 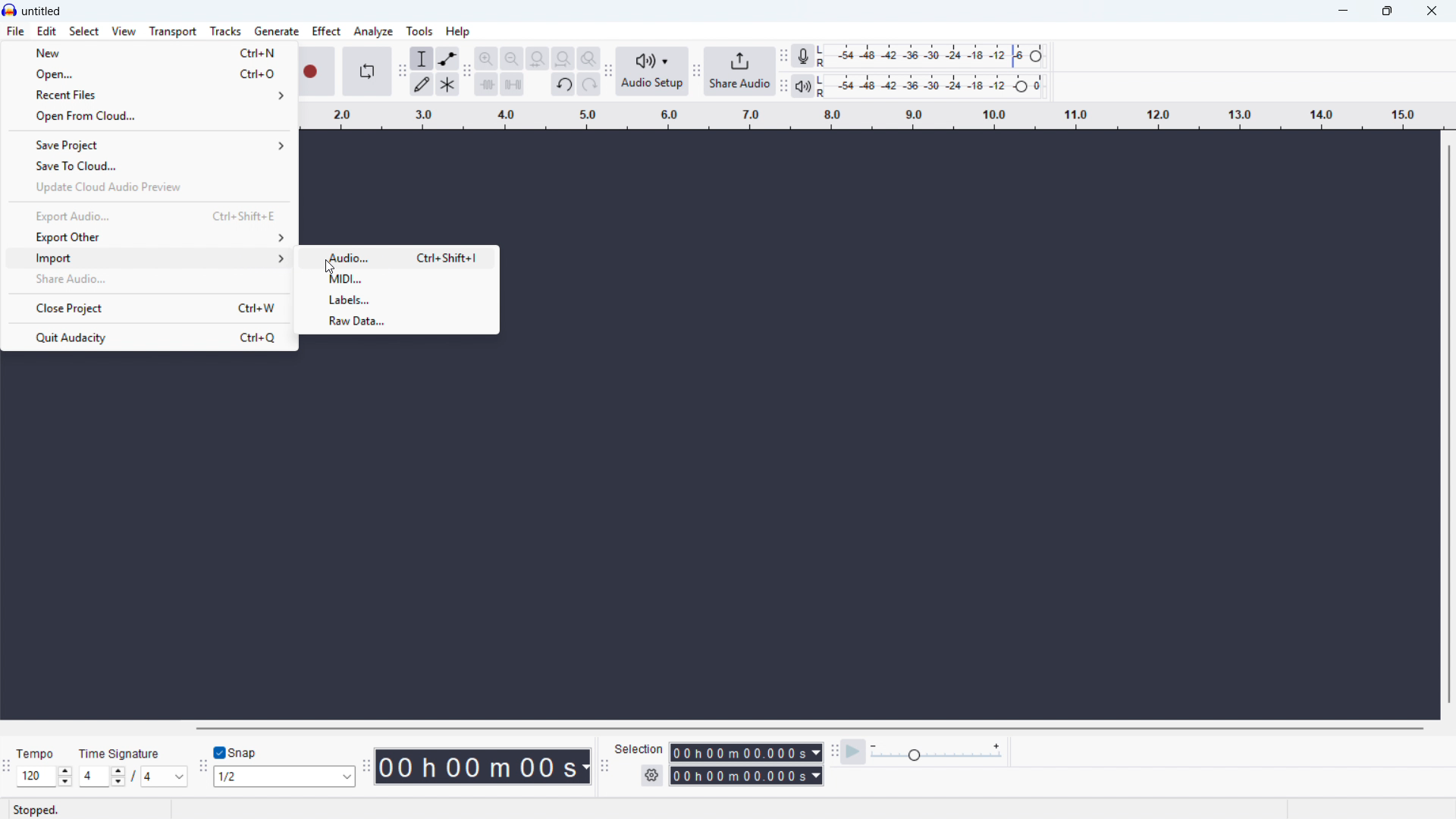 What do you see at coordinates (640, 749) in the screenshot?
I see `Selection` at bounding box center [640, 749].